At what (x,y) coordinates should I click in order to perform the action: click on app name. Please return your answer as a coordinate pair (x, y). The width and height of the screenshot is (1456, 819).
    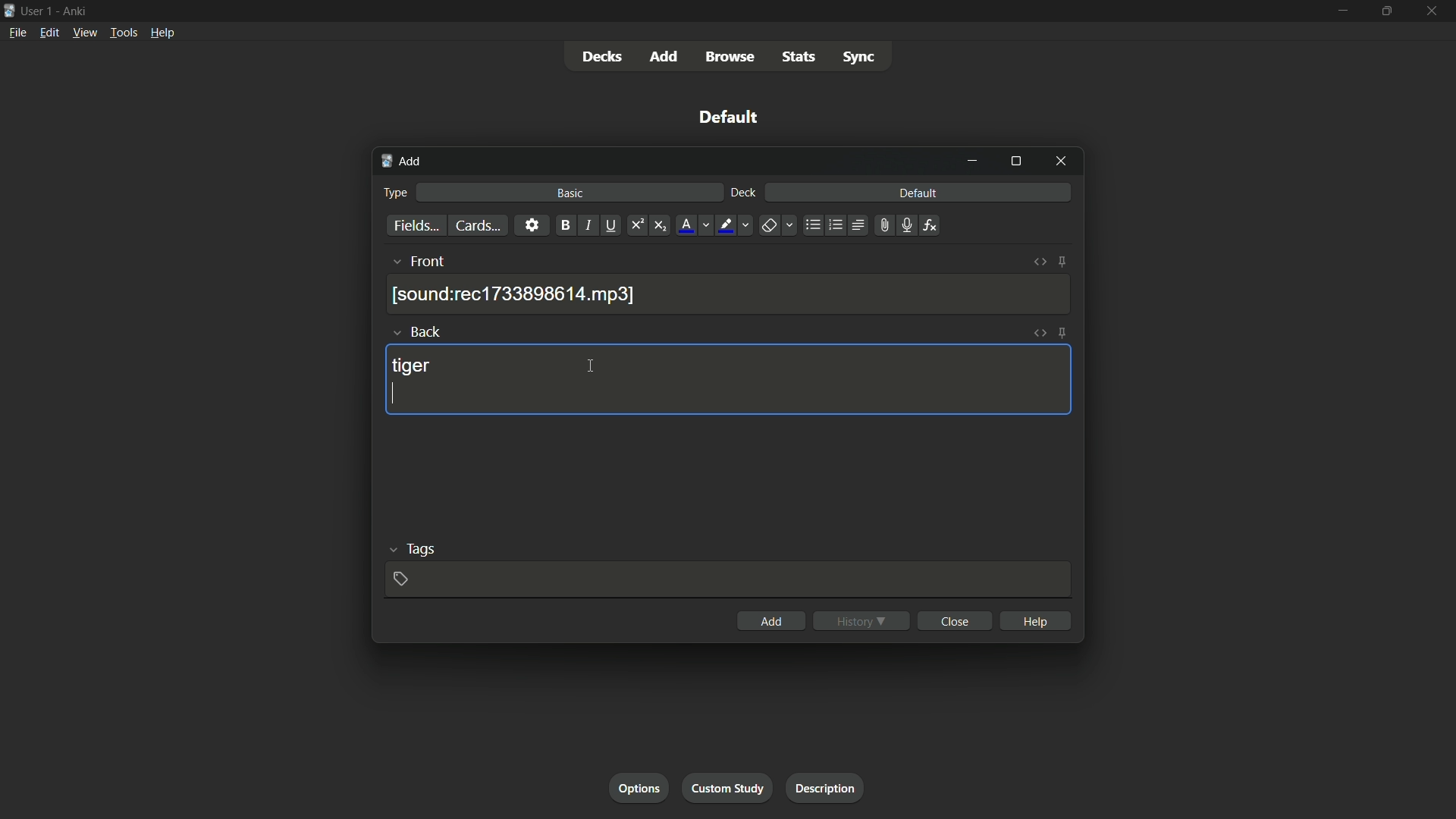
    Looking at the image, I should click on (74, 11).